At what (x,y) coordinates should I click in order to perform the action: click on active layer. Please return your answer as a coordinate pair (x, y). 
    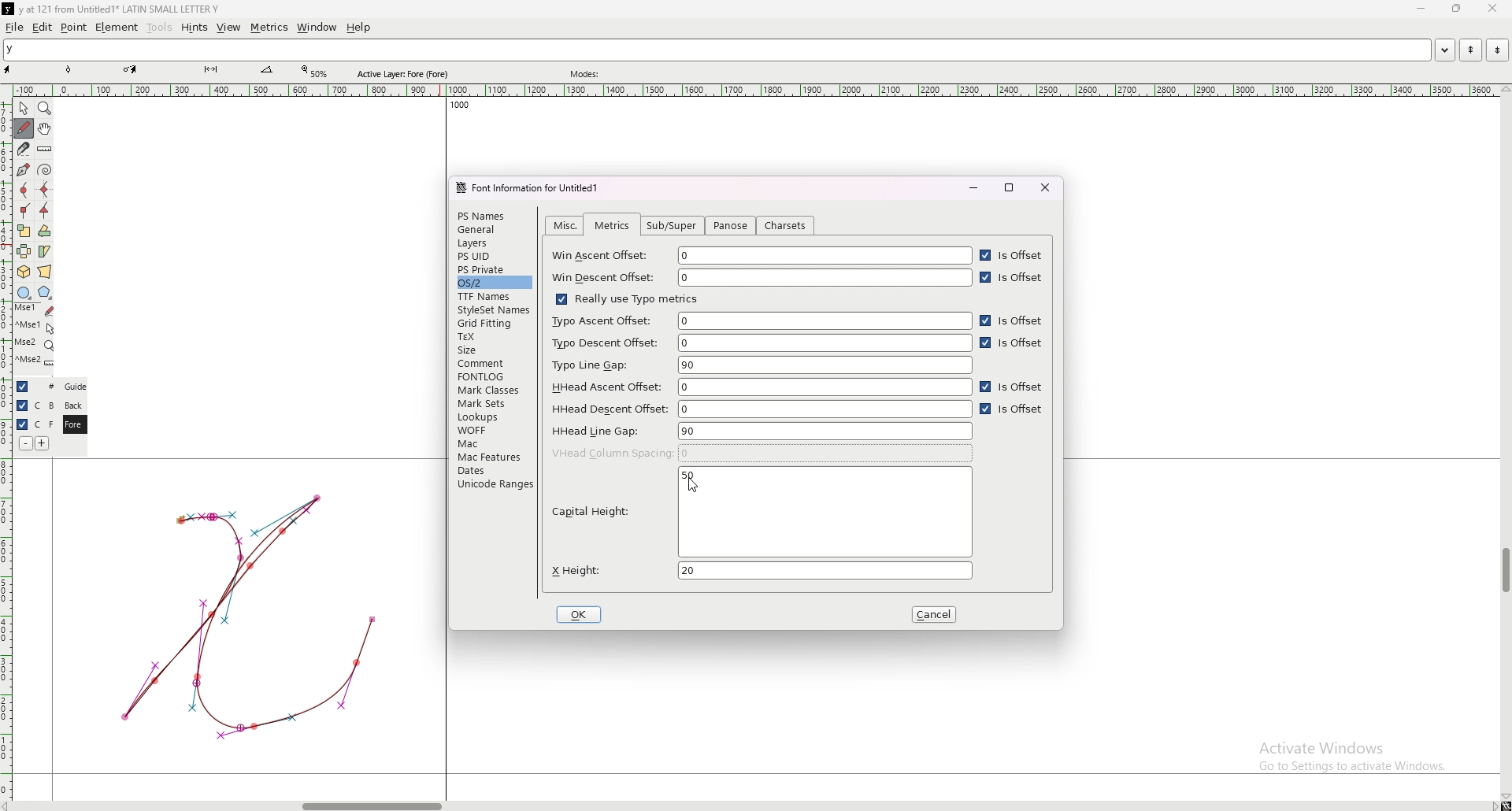
    Looking at the image, I should click on (406, 74).